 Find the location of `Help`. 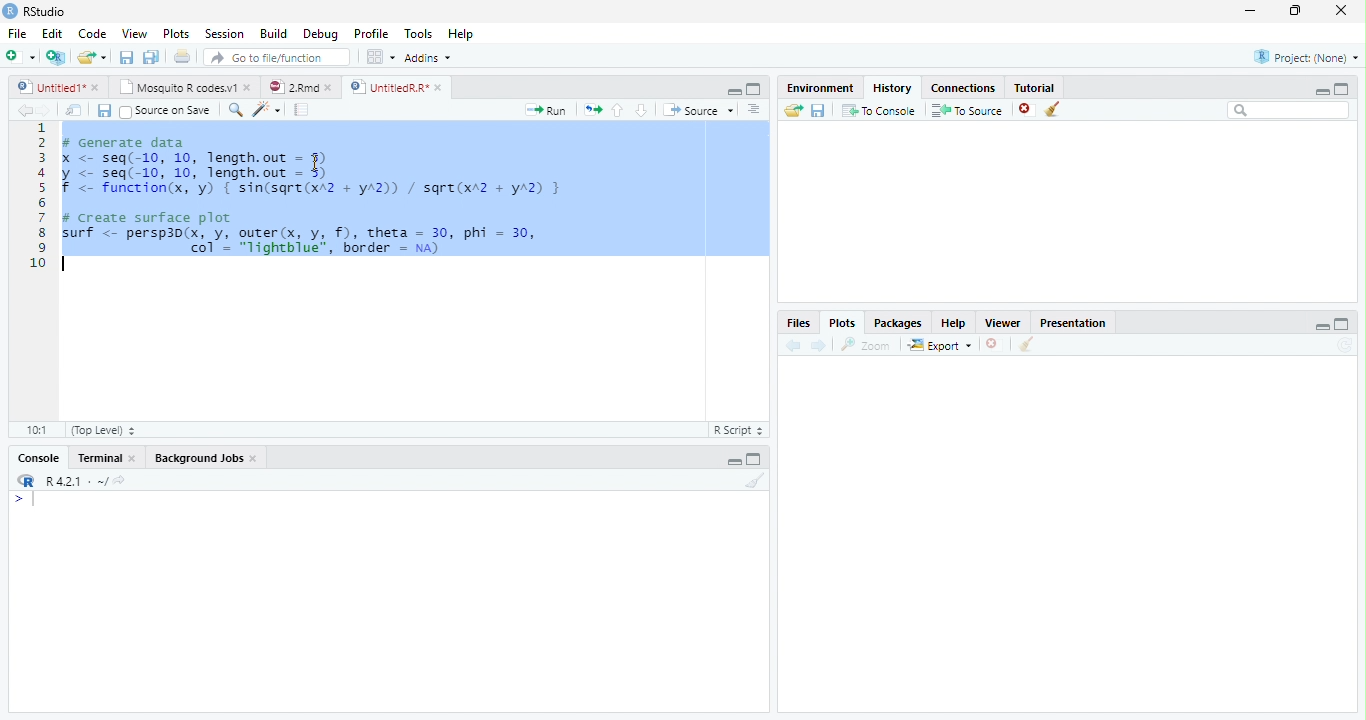

Help is located at coordinates (460, 33).